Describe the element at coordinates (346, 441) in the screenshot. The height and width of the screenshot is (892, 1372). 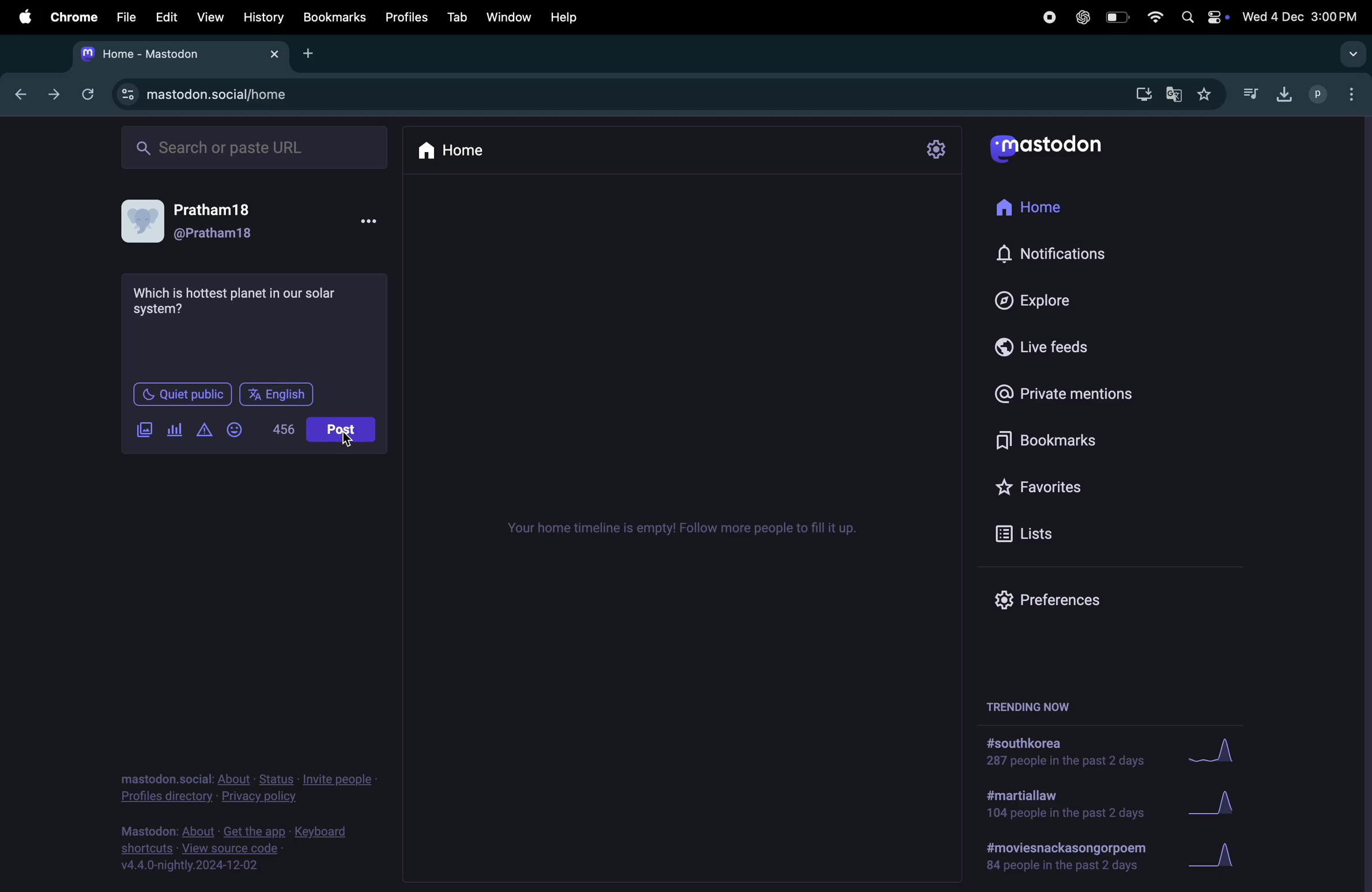
I see `cursor` at that location.